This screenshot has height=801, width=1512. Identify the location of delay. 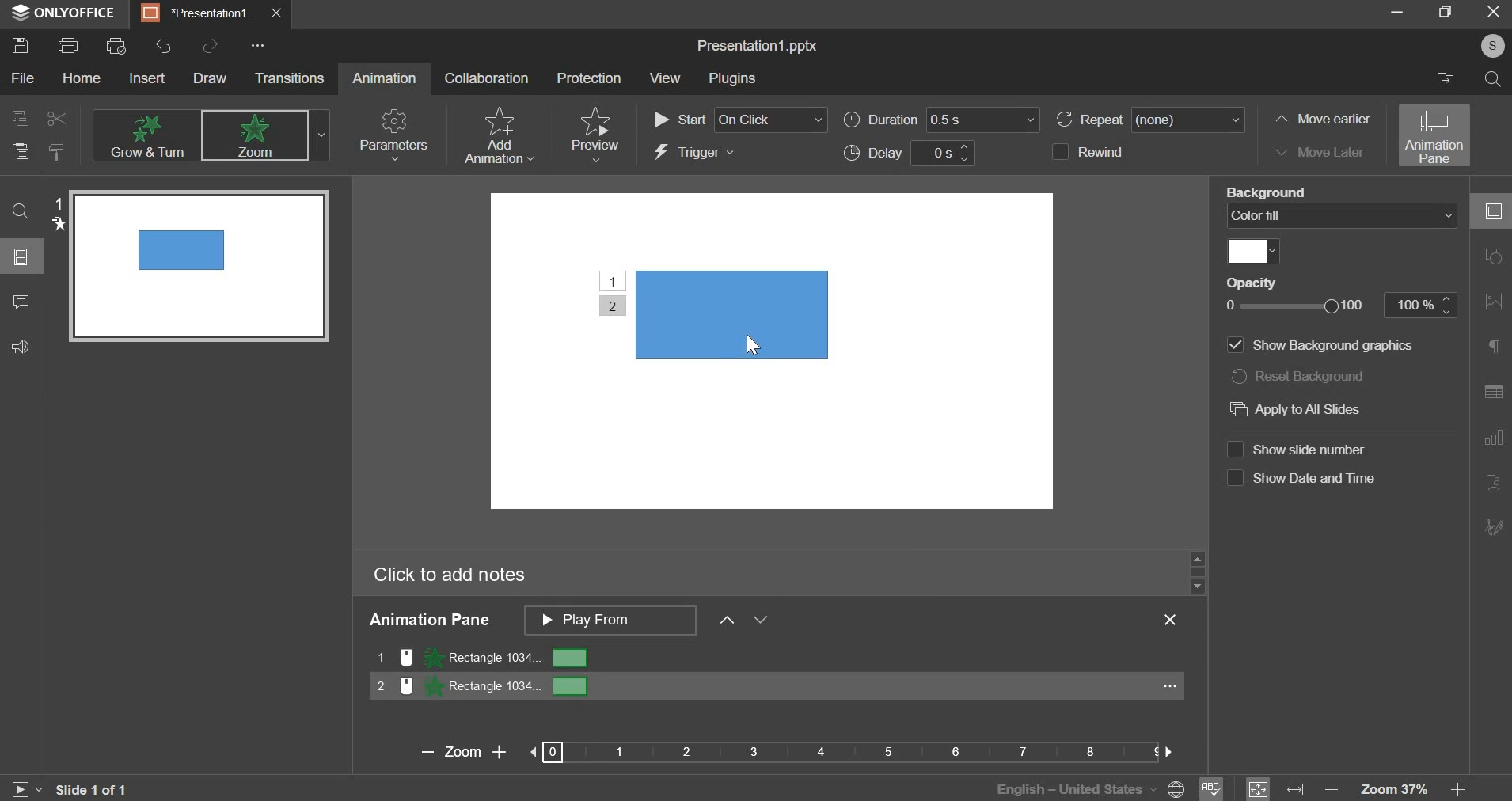
(916, 154).